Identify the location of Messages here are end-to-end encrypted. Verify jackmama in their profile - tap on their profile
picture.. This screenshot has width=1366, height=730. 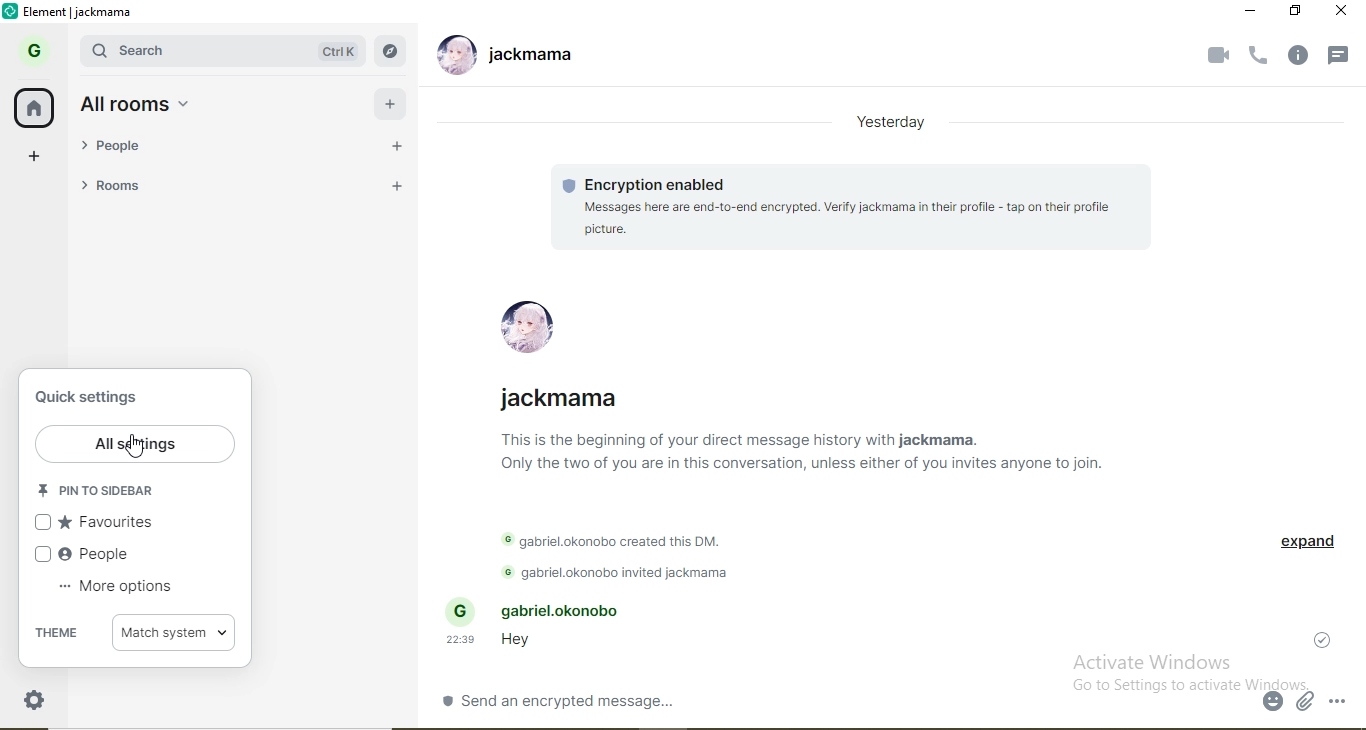
(848, 218).